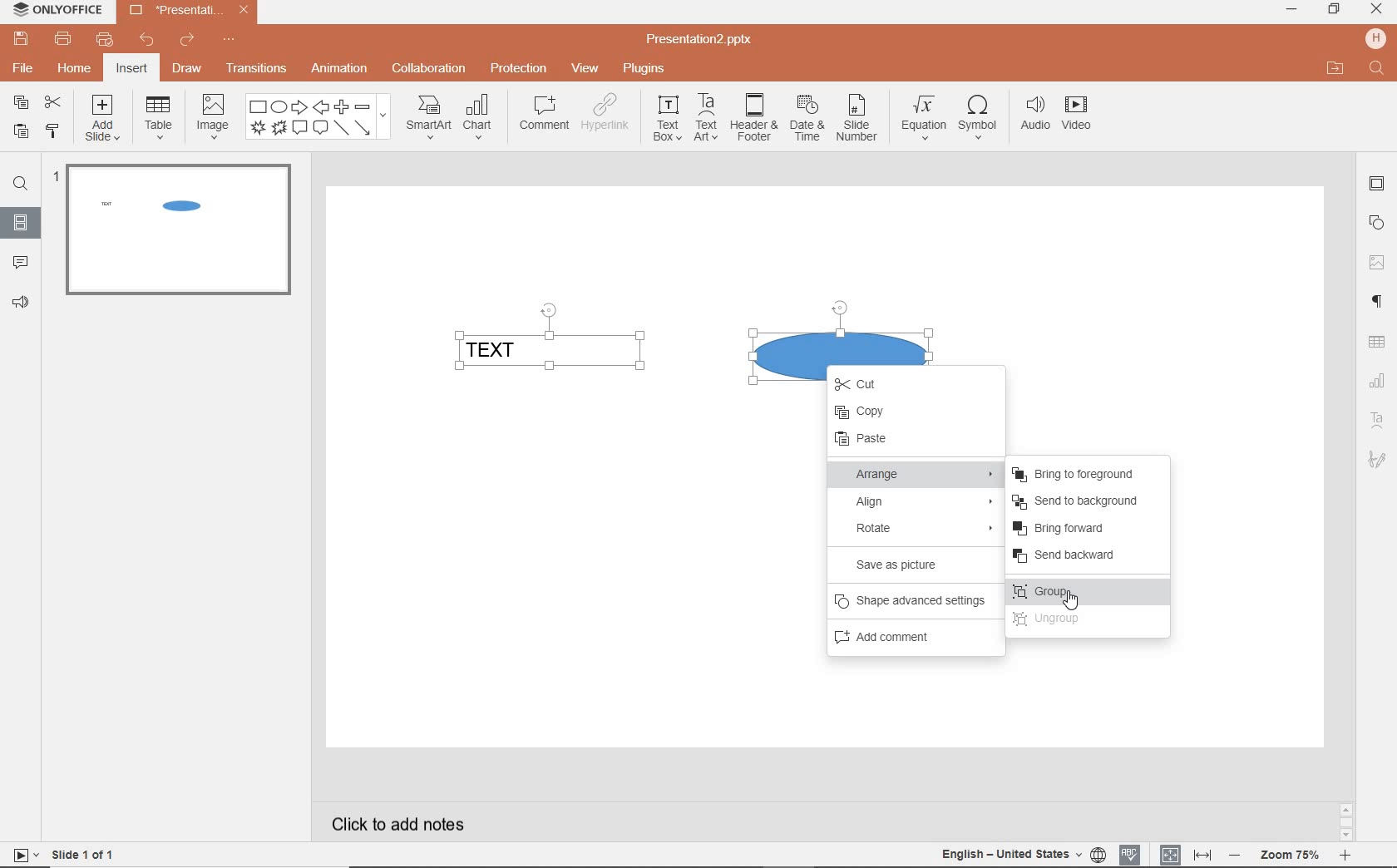 This screenshot has width=1397, height=868. What do you see at coordinates (886, 411) in the screenshot?
I see `COPY` at bounding box center [886, 411].